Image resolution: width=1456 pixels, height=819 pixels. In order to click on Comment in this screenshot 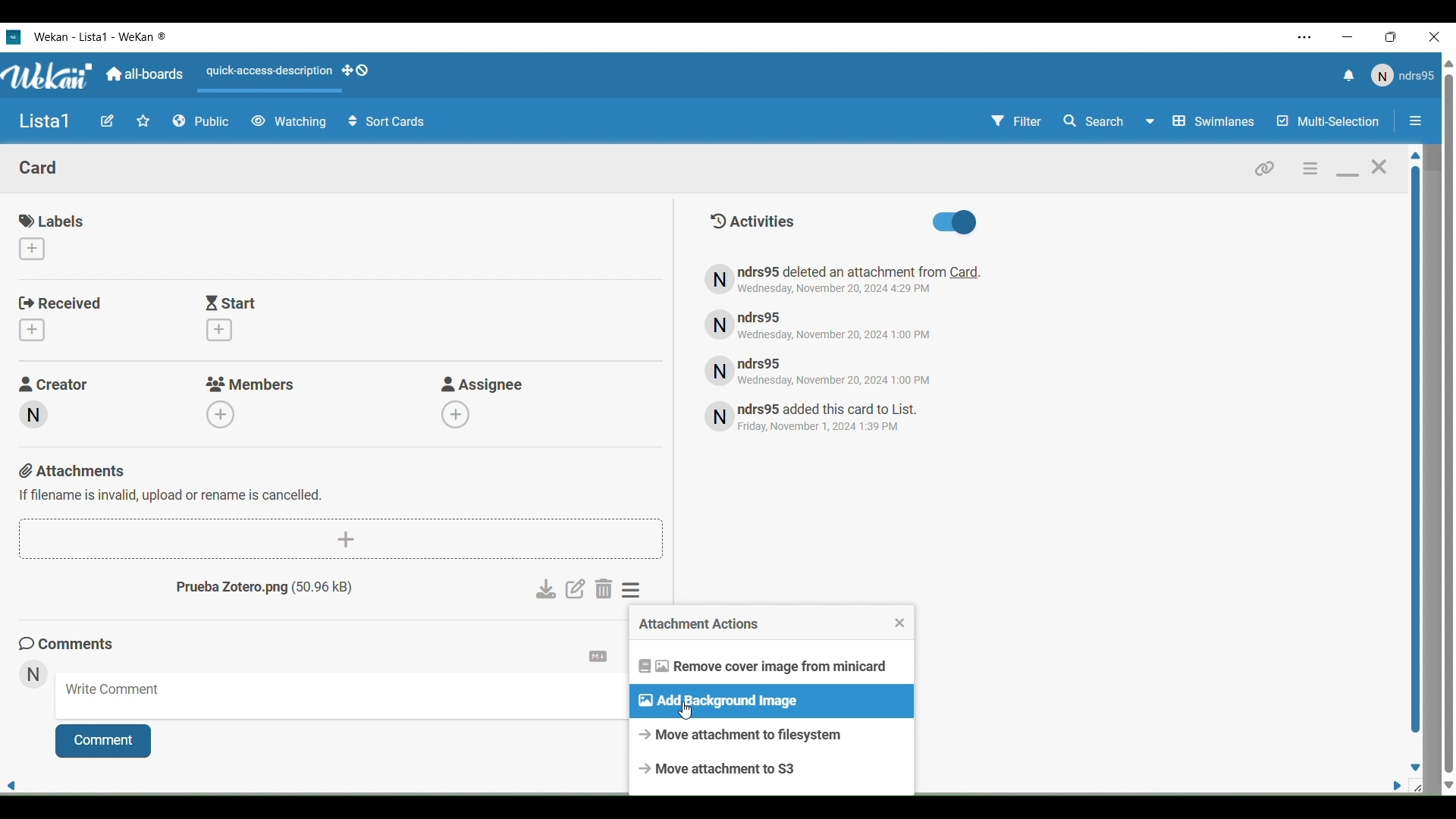, I will do `click(104, 741)`.